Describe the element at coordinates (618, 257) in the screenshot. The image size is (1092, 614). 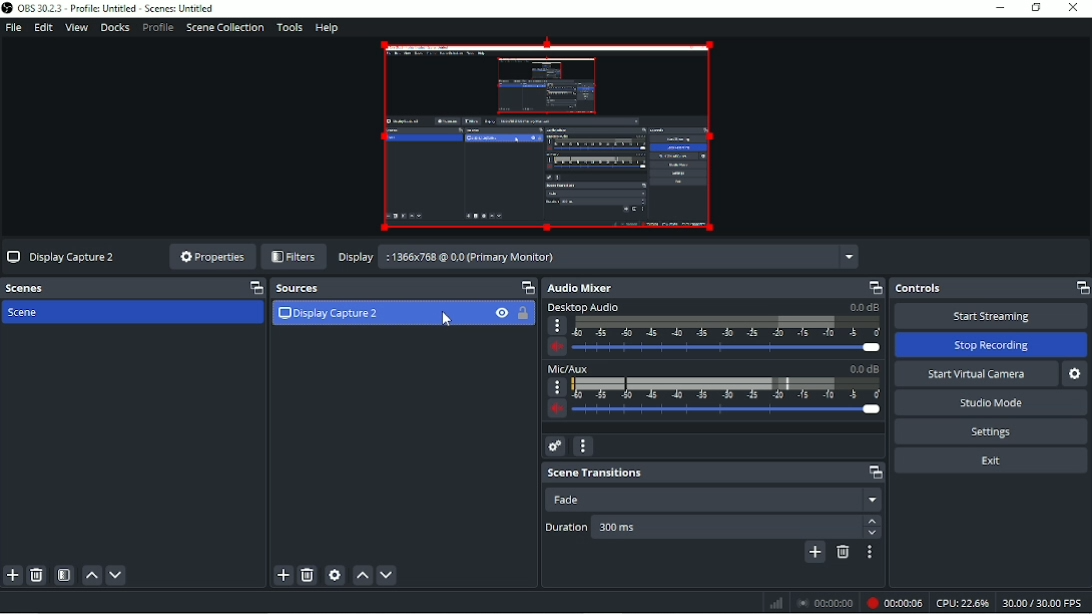
I see `: 1366x768 @ 0,0 (Primary Monitor)` at that location.